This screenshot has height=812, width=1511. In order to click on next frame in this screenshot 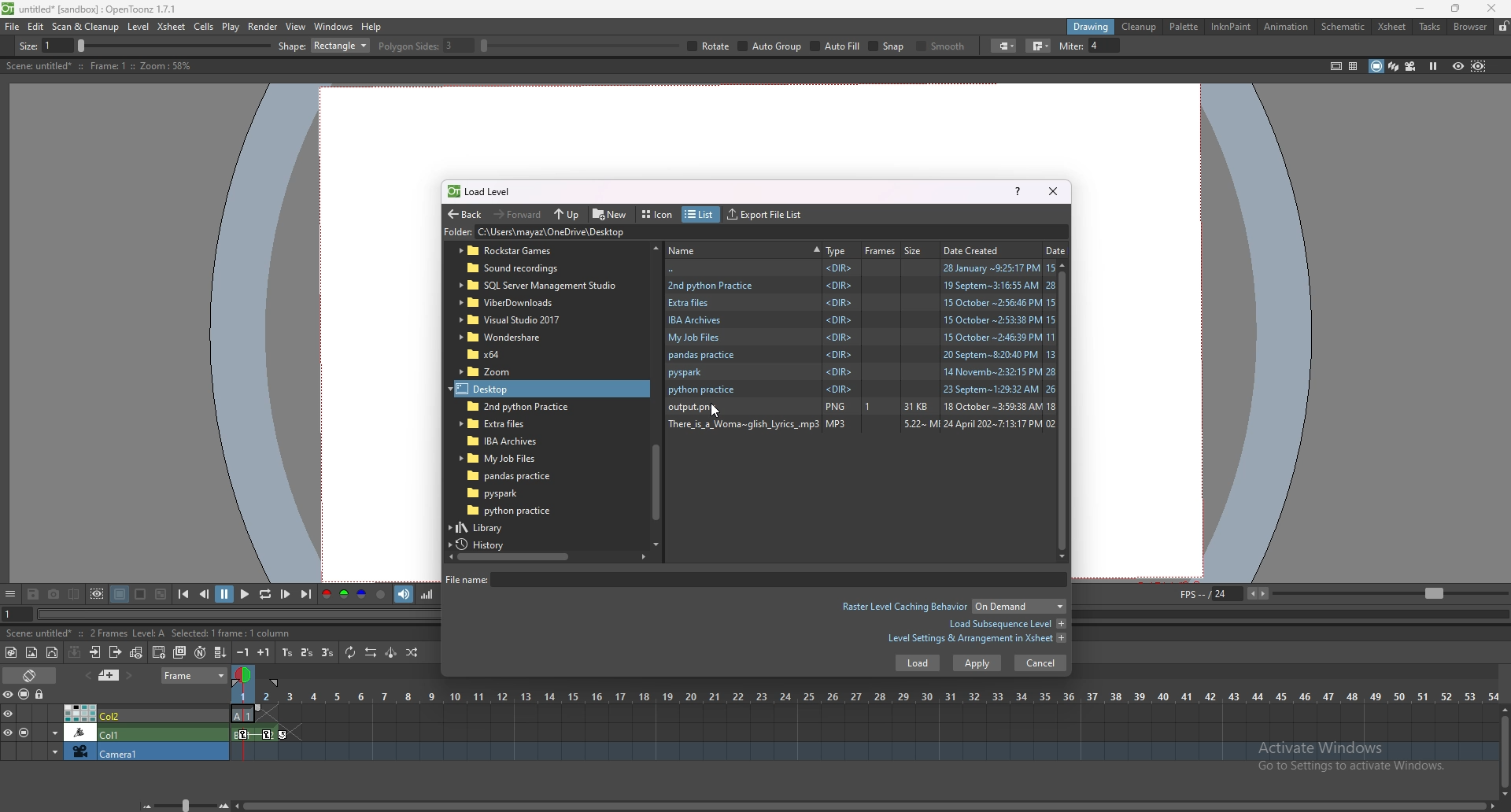, I will do `click(286, 594)`.